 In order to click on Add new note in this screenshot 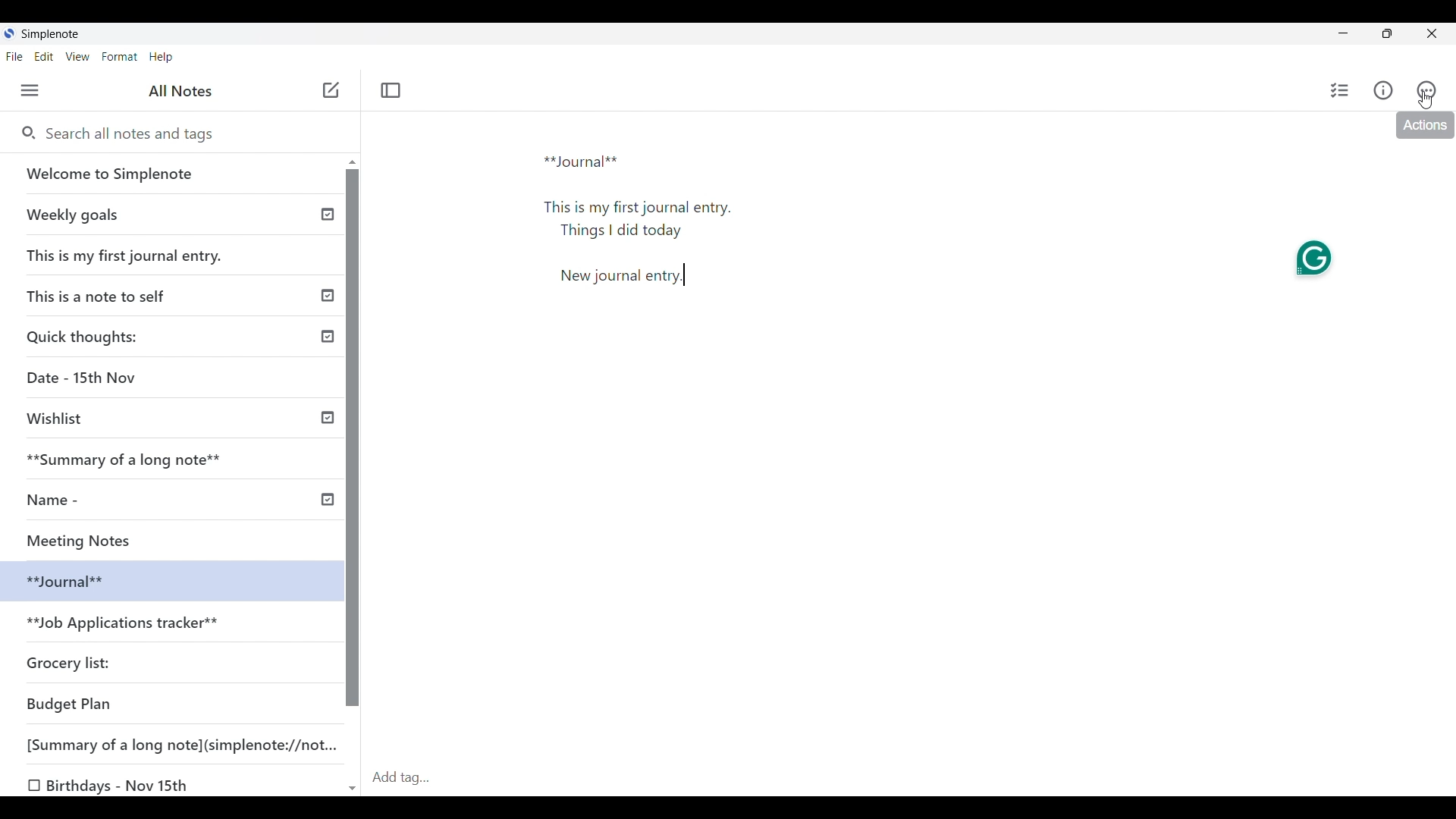, I will do `click(331, 89)`.